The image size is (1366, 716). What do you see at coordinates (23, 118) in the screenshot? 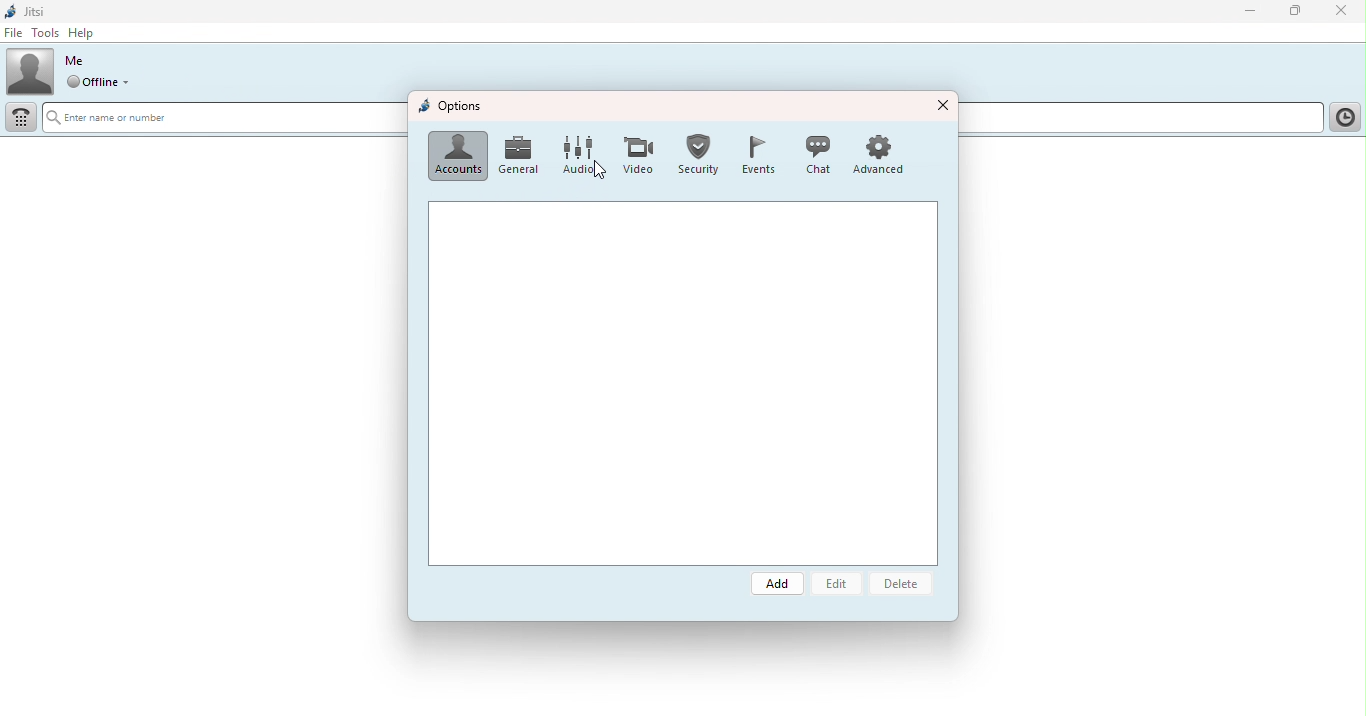
I see `Dial pad` at bounding box center [23, 118].